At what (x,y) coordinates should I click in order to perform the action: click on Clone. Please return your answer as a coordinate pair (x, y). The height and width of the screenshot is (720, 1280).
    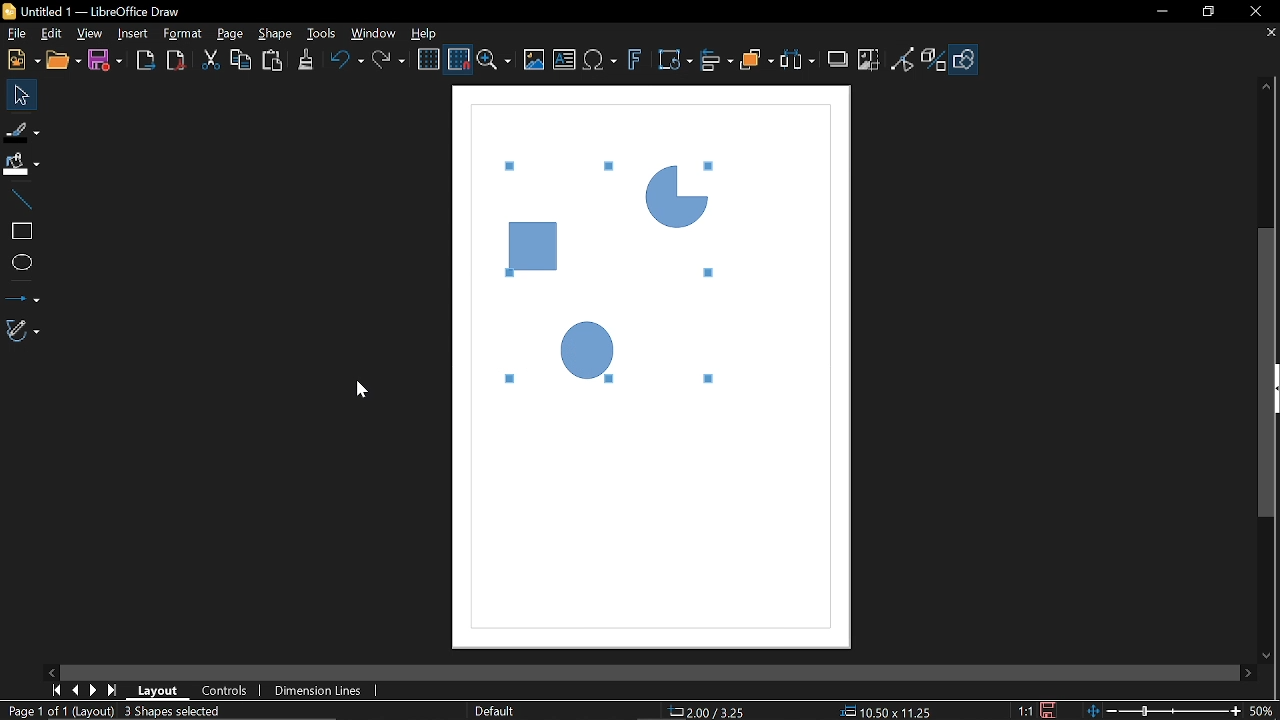
    Looking at the image, I should click on (306, 61).